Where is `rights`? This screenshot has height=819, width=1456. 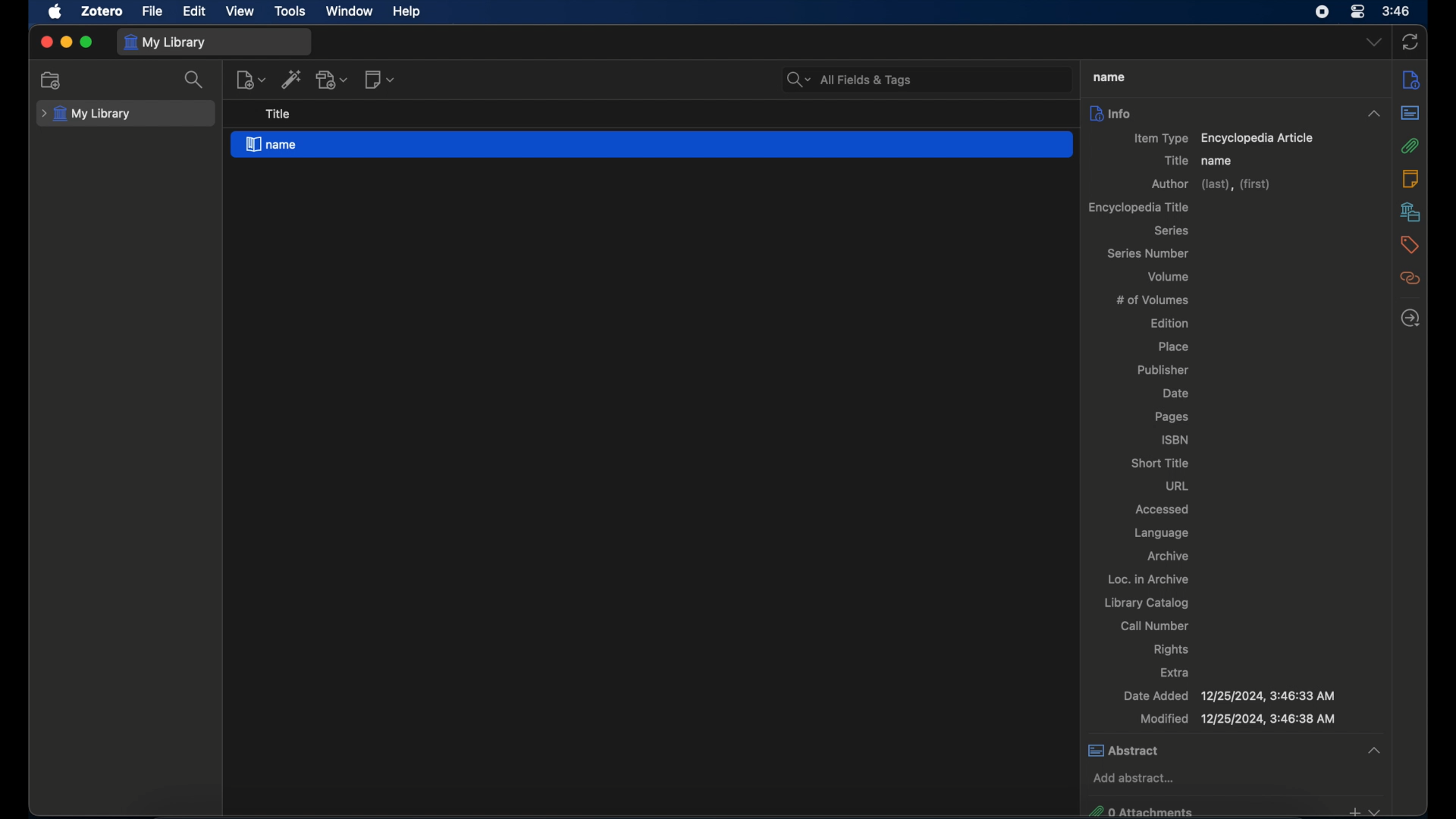 rights is located at coordinates (1174, 649).